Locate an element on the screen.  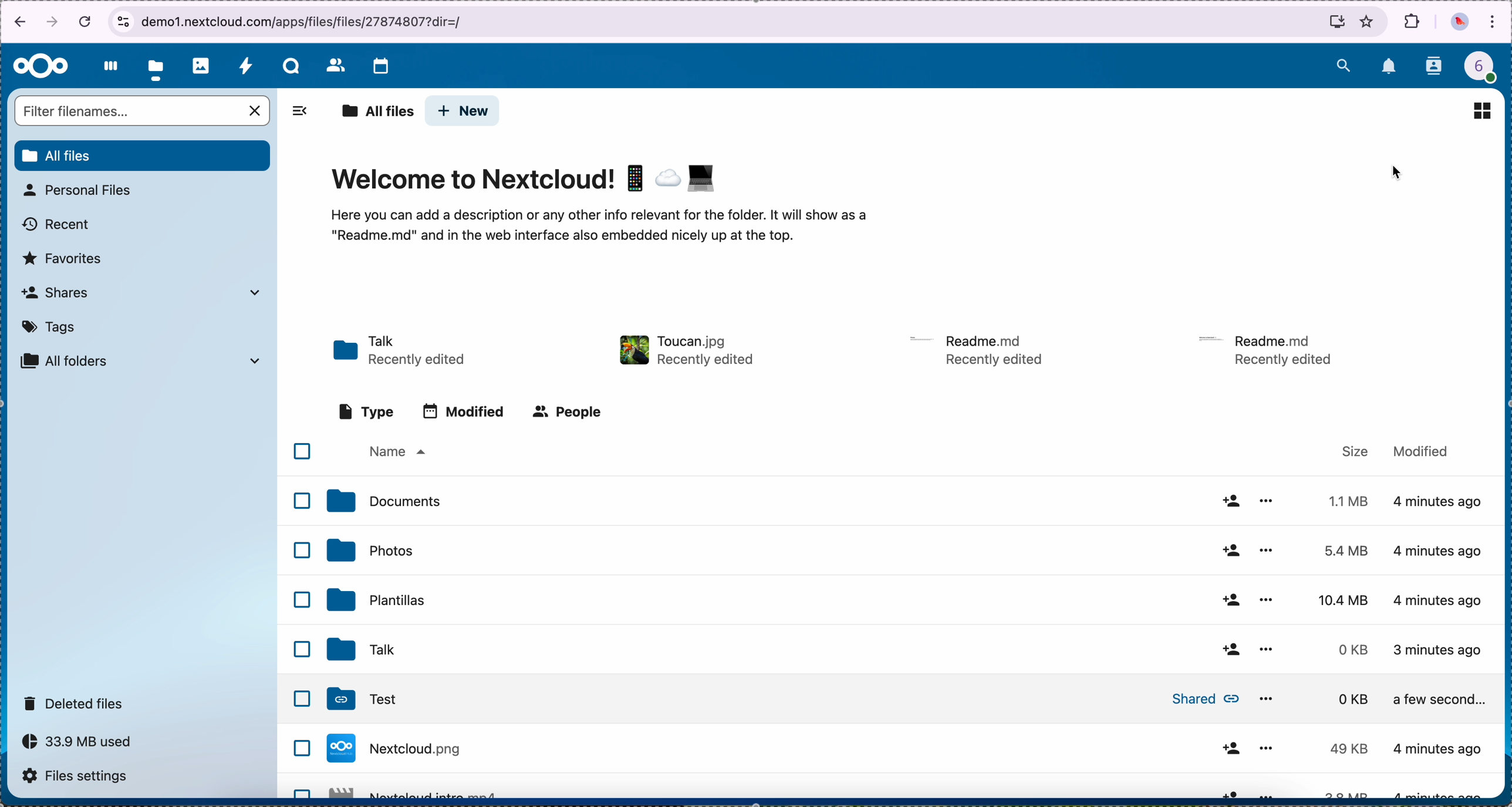
photos is located at coordinates (201, 66).